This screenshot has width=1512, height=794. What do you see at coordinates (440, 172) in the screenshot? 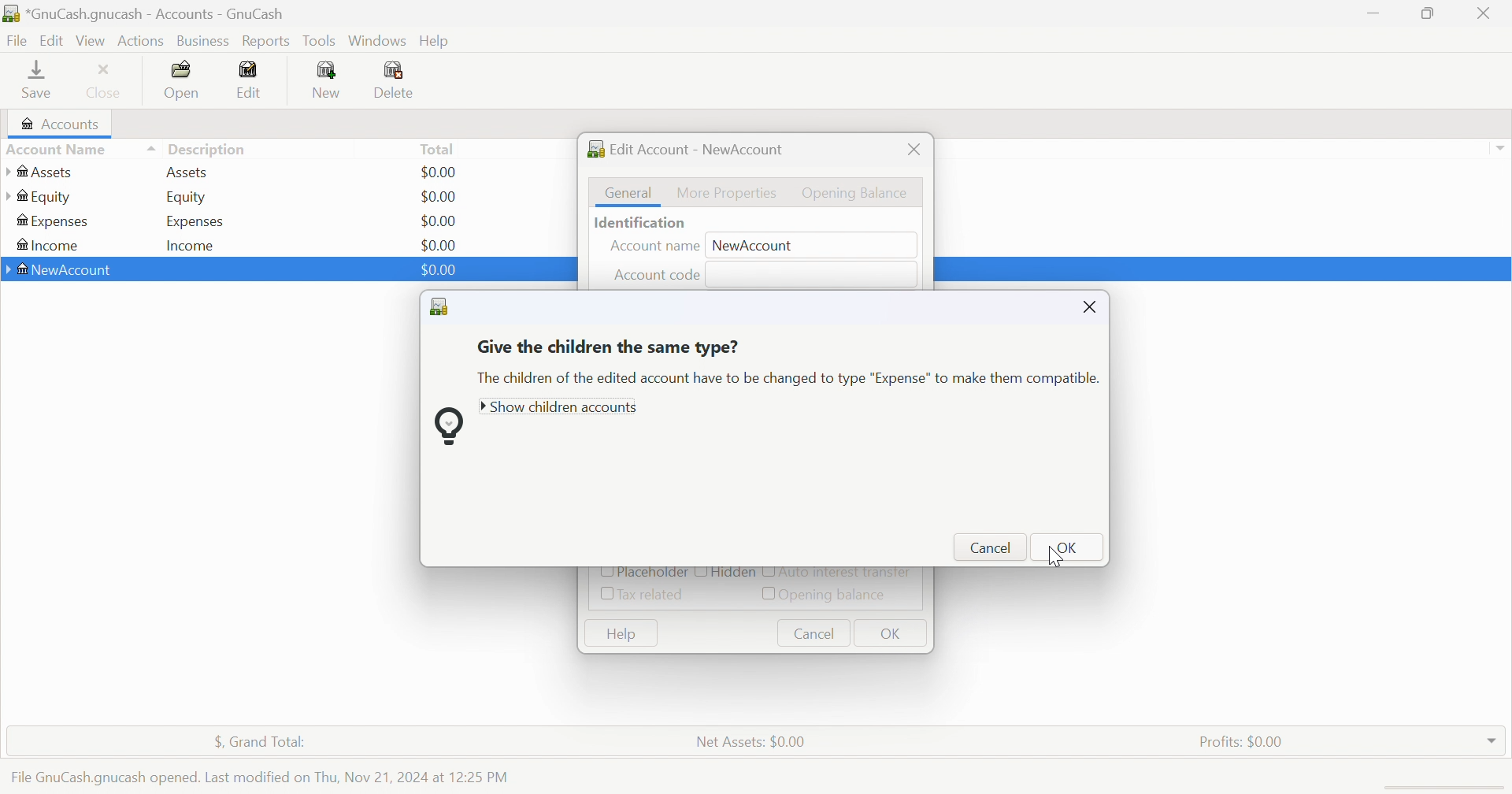
I see `$0.00` at bounding box center [440, 172].